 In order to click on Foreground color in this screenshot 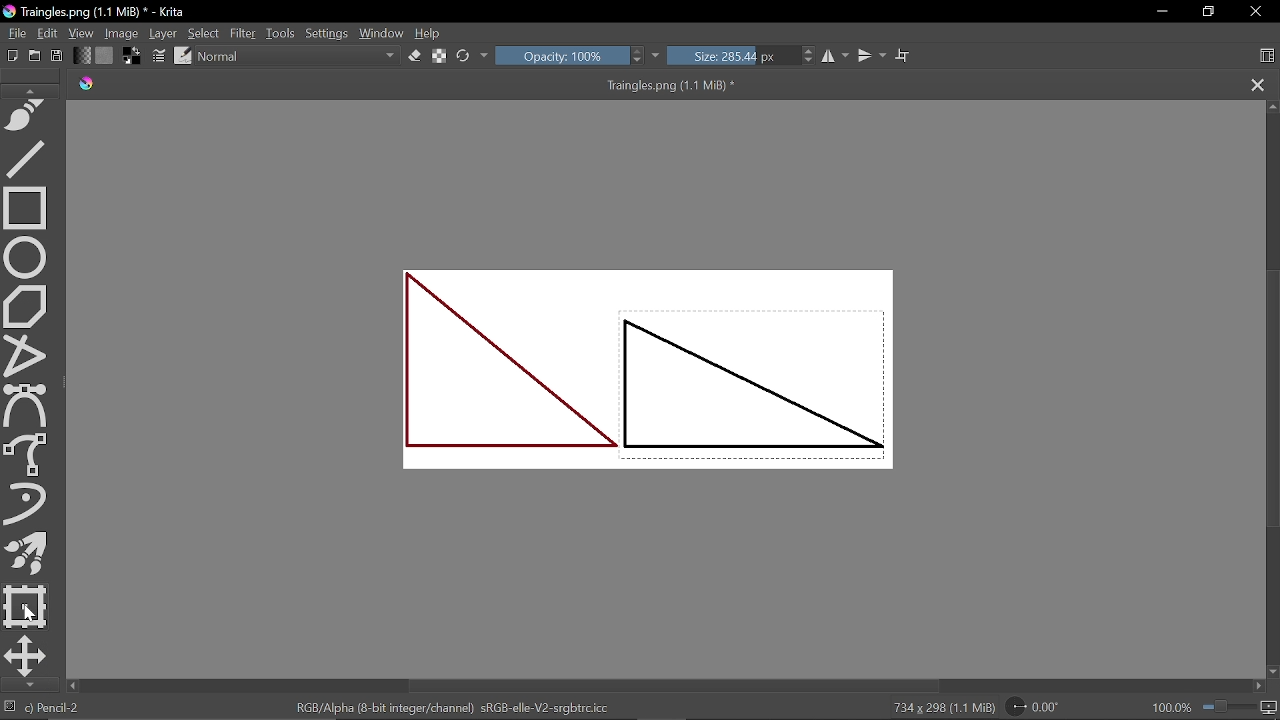, I will do `click(134, 55)`.